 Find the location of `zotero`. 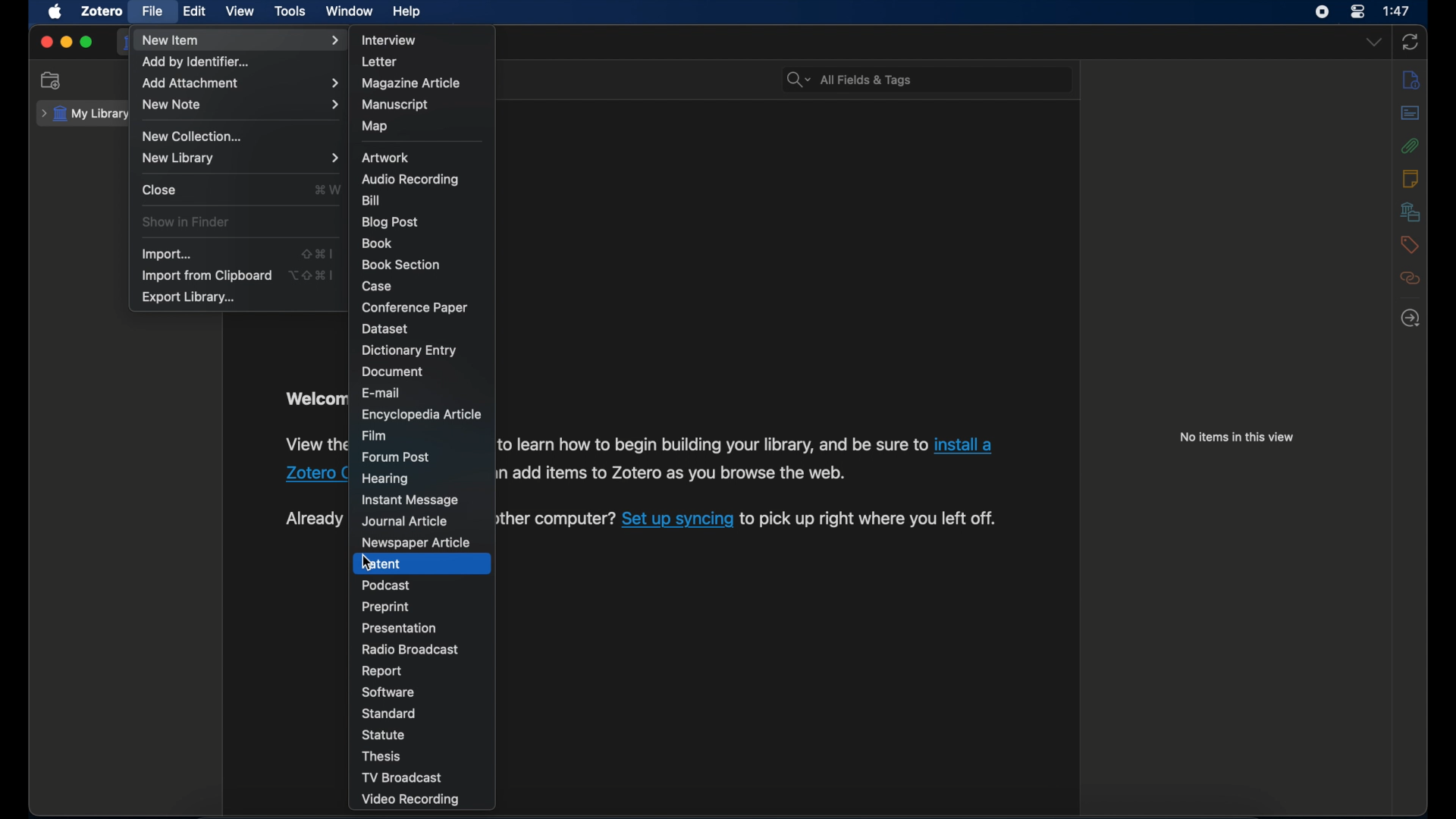

zotero is located at coordinates (101, 11).